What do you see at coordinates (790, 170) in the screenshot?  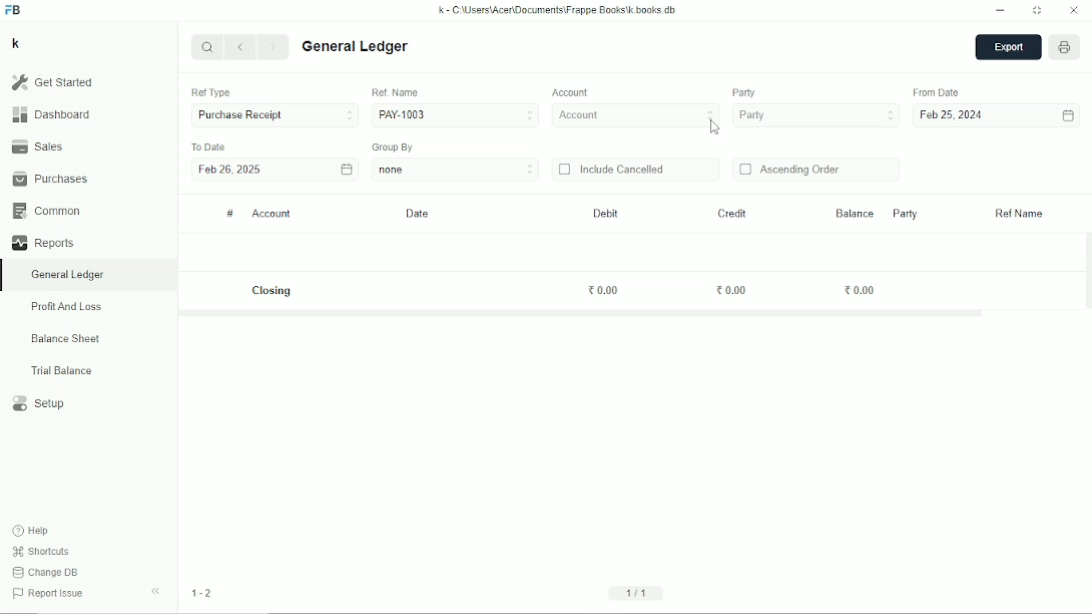 I see `Ascending order` at bounding box center [790, 170].